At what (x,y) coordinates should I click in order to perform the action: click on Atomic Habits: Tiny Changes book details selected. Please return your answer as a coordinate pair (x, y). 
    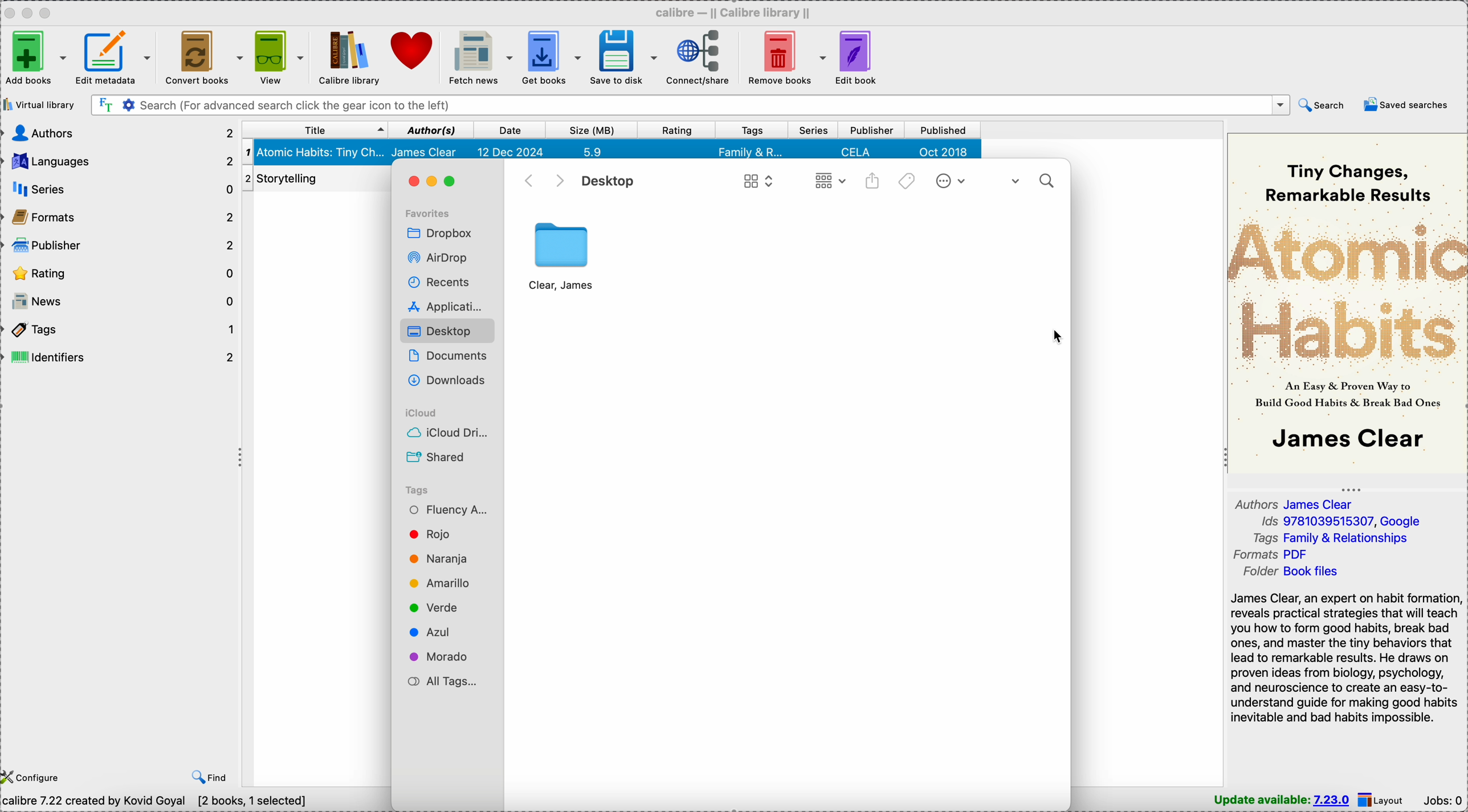
    Looking at the image, I should click on (613, 152).